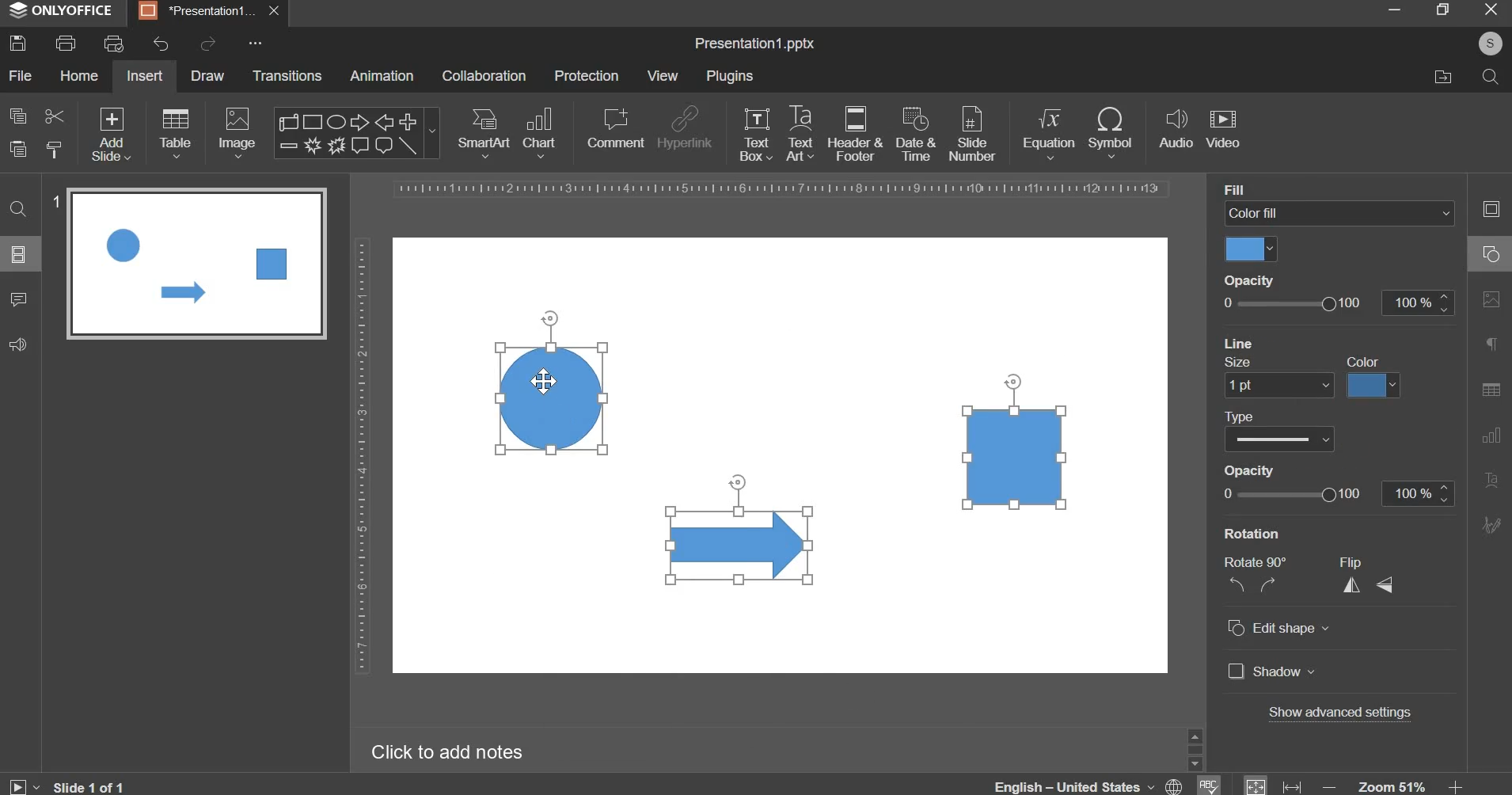  What do you see at coordinates (1330, 786) in the screenshot?
I see `decrease zoom` at bounding box center [1330, 786].